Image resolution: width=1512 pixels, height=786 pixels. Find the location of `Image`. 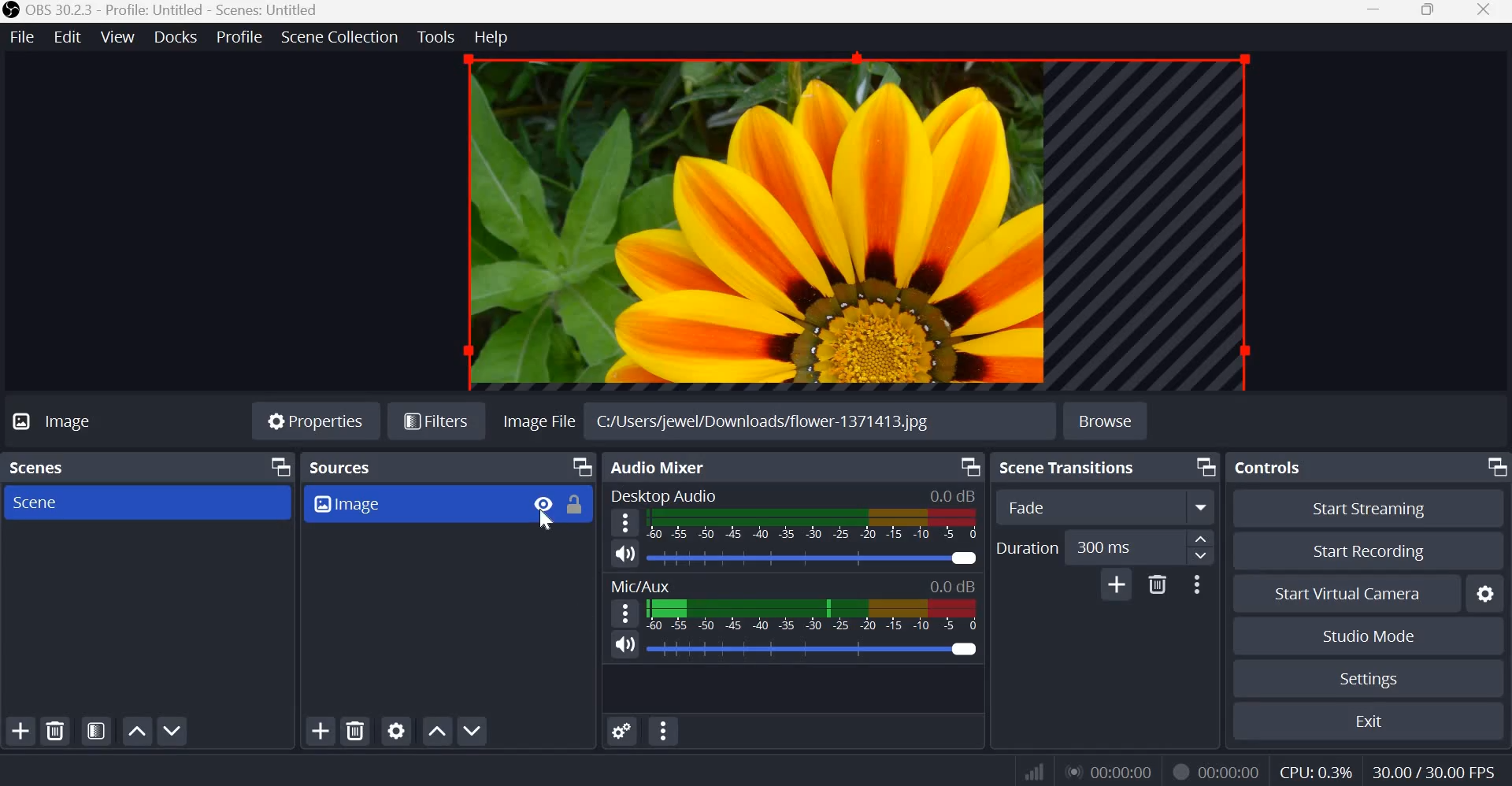

Image is located at coordinates (53, 421).